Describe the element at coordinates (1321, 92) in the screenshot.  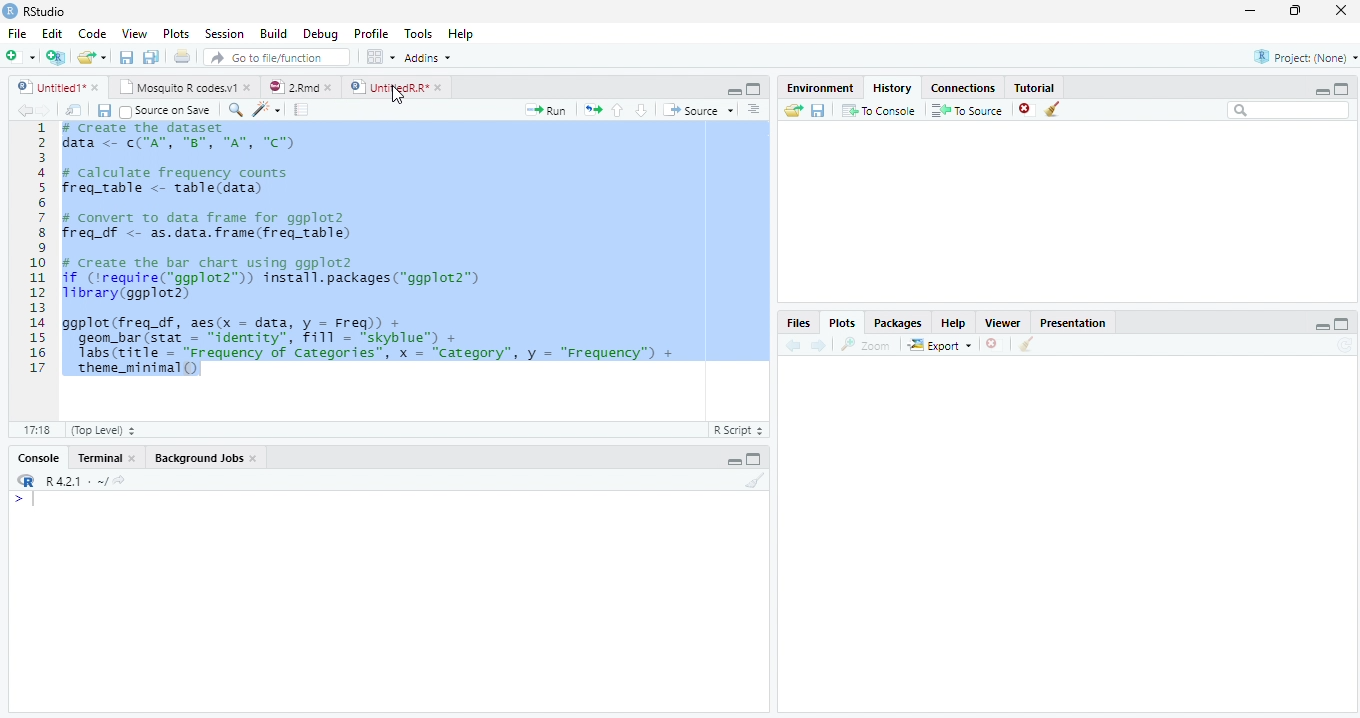
I see `Minimize` at that location.